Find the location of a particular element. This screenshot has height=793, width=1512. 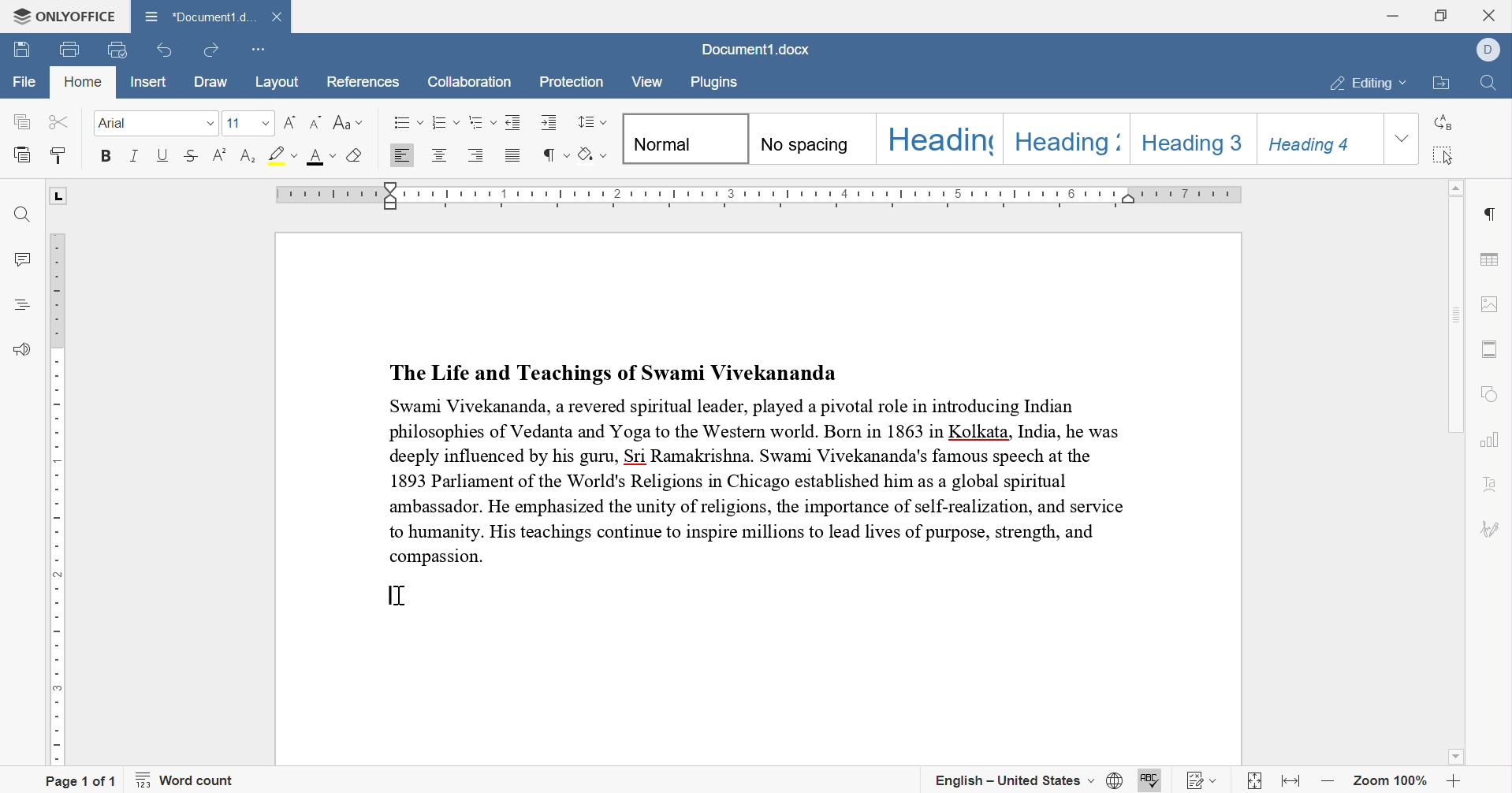

subscript is located at coordinates (248, 156).